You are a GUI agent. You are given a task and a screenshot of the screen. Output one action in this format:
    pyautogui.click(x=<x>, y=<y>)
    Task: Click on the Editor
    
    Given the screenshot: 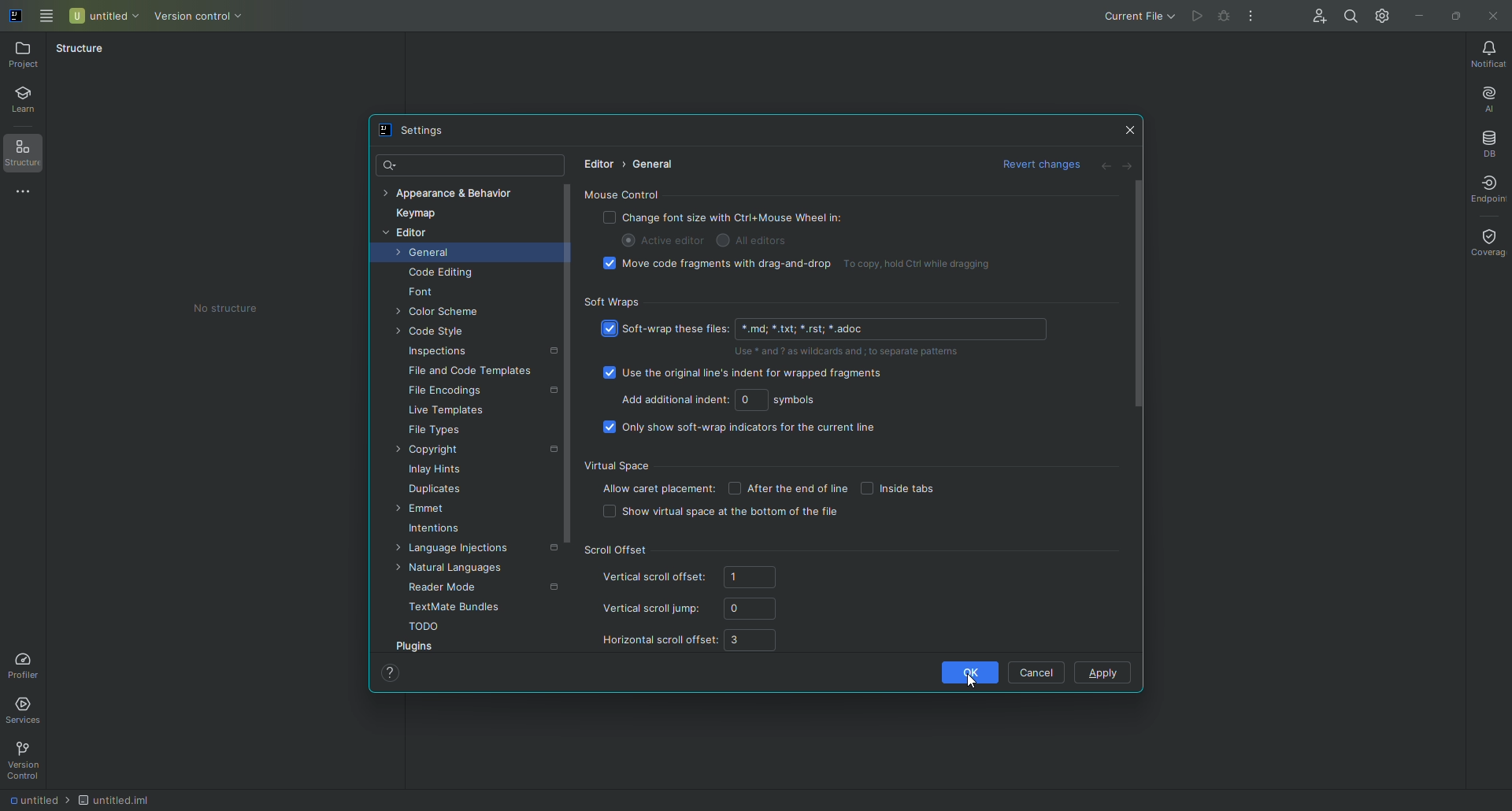 What is the action you would take?
    pyautogui.click(x=598, y=164)
    